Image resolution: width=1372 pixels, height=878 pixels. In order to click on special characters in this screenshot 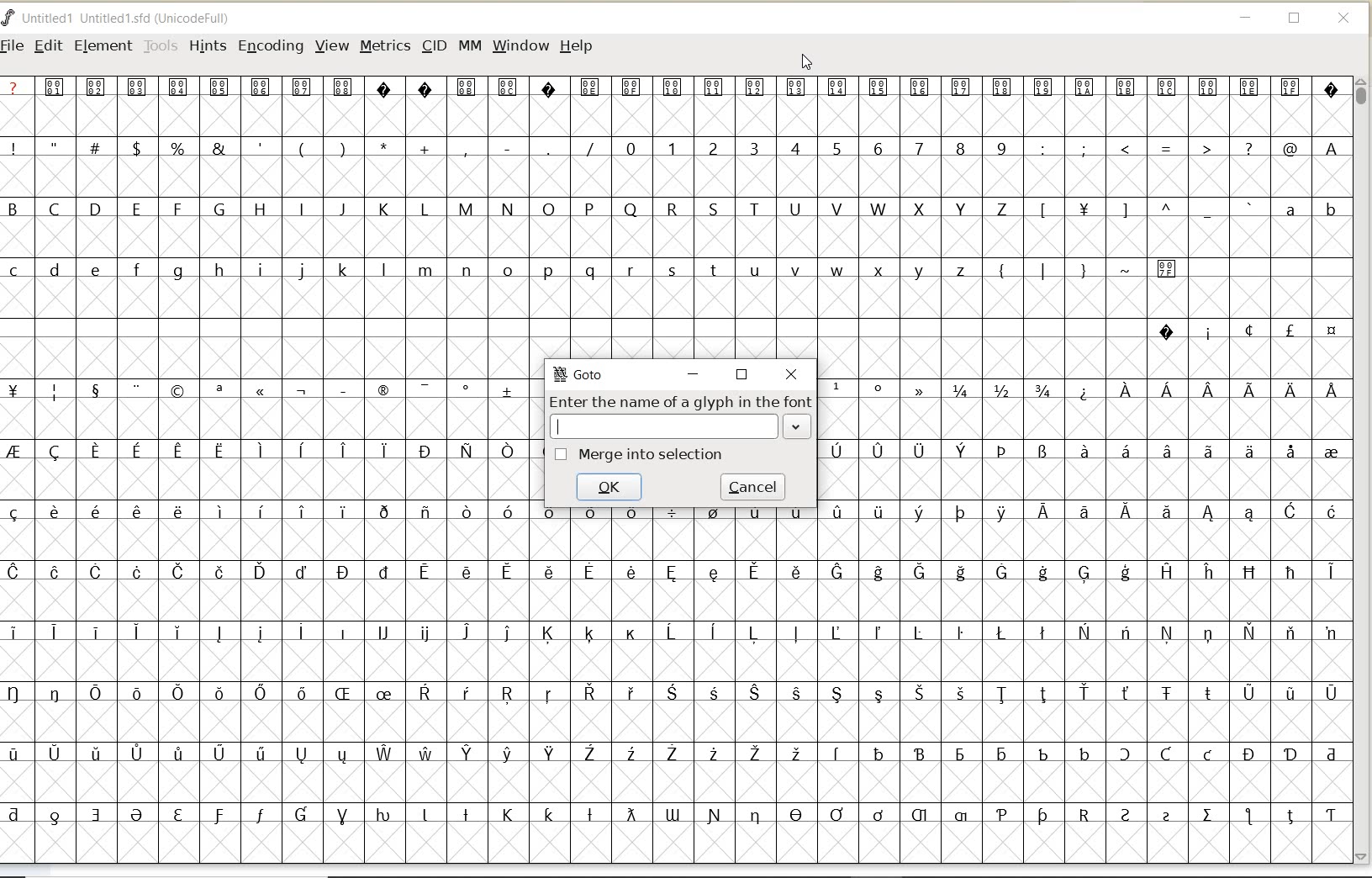, I will do `click(673, 95)`.